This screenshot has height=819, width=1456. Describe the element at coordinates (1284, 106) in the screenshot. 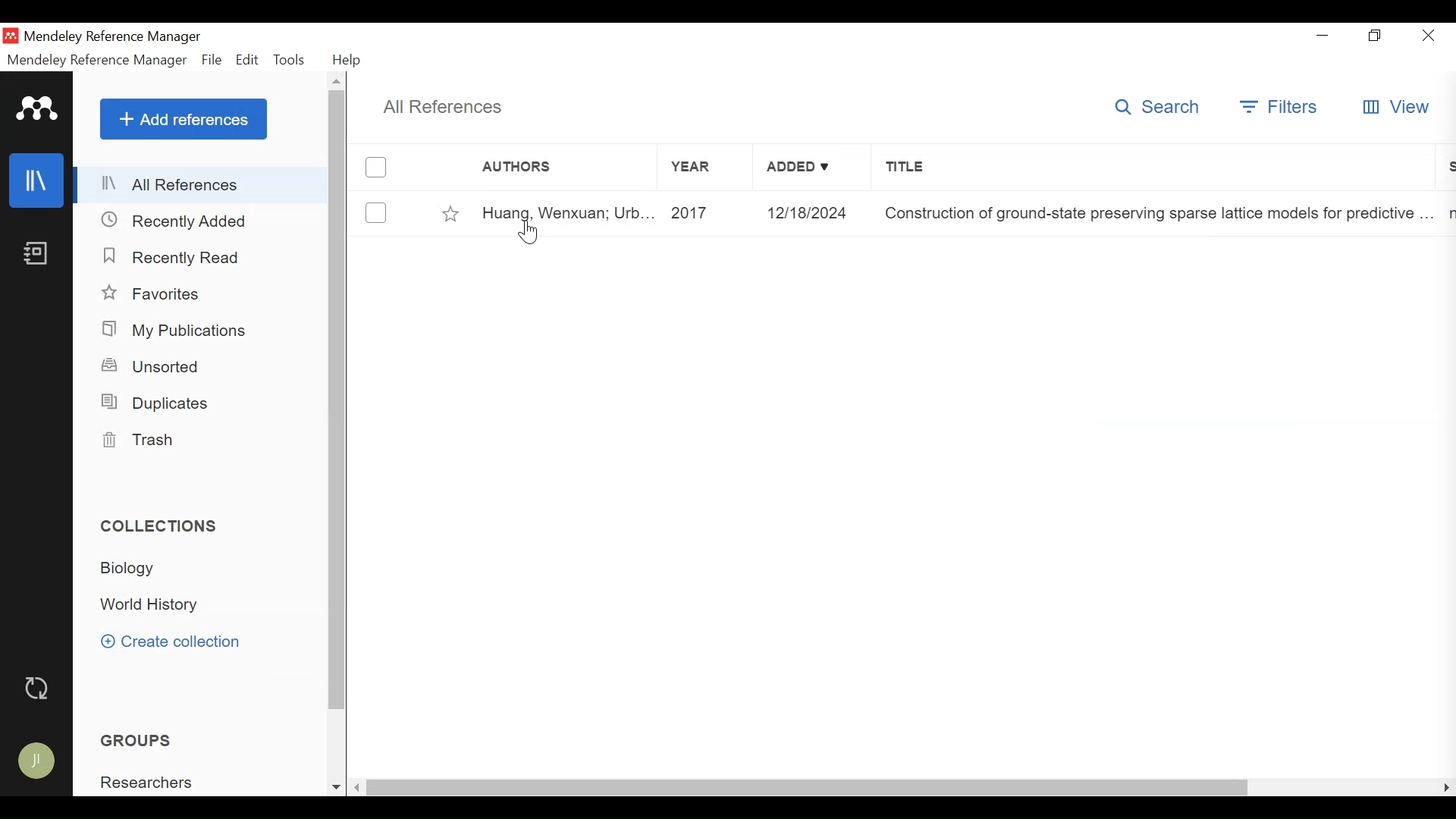

I see `Filters` at that location.